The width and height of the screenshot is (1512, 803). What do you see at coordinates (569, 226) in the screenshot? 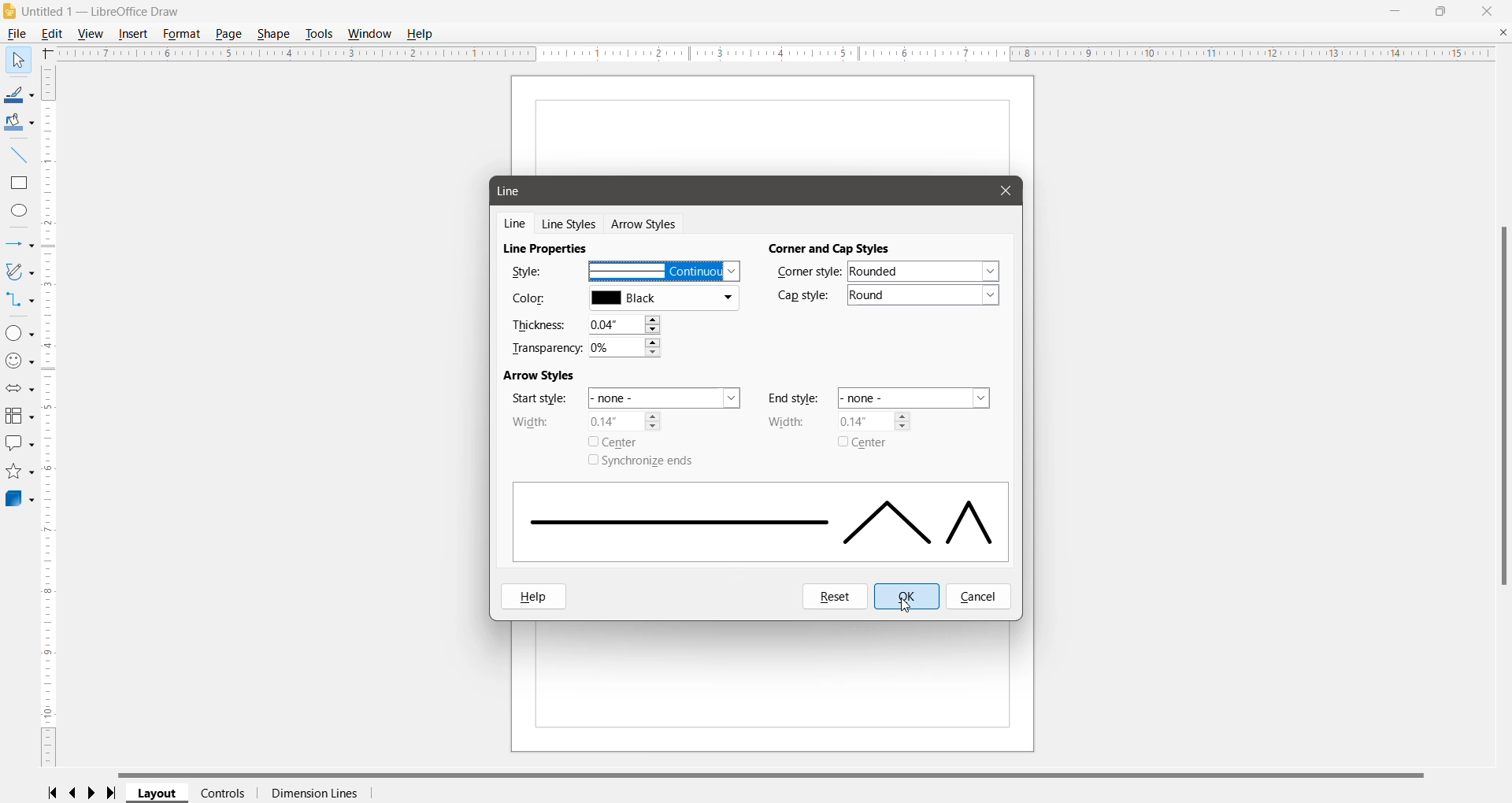
I see `Line Styles` at bounding box center [569, 226].